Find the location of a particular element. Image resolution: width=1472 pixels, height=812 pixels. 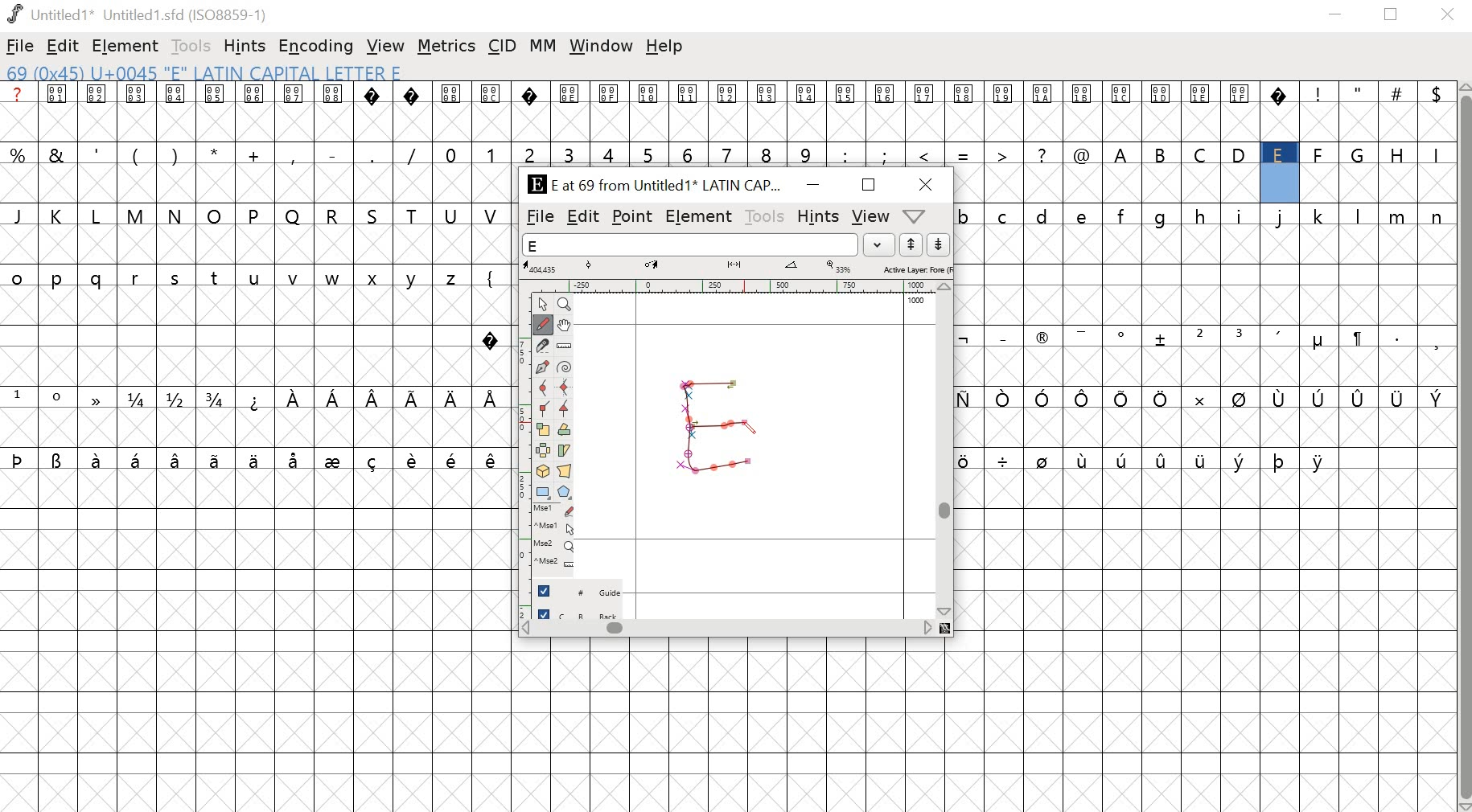

close is located at coordinates (1448, 15).